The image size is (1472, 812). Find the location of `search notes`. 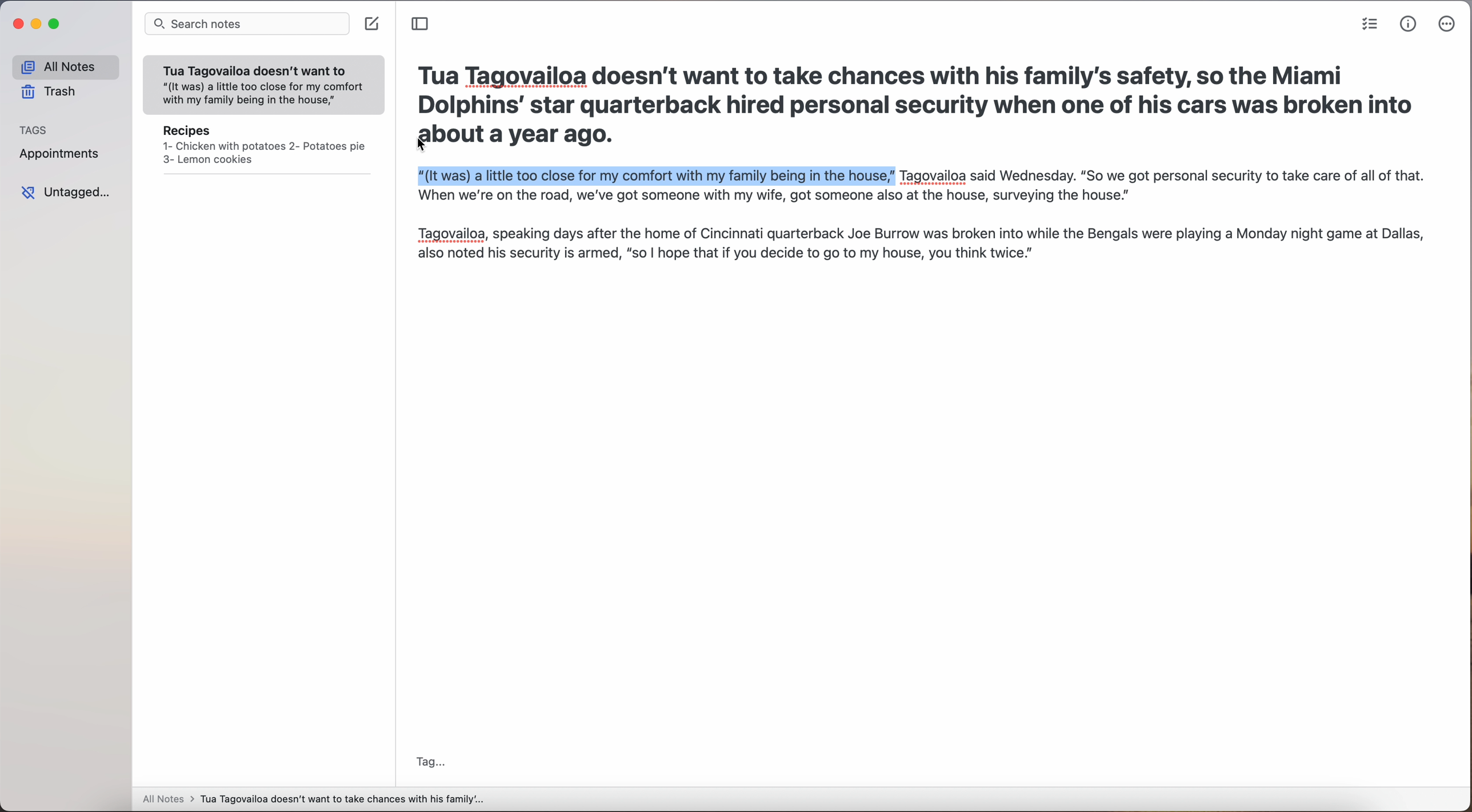

search notes is located at coordinates (246, 25).